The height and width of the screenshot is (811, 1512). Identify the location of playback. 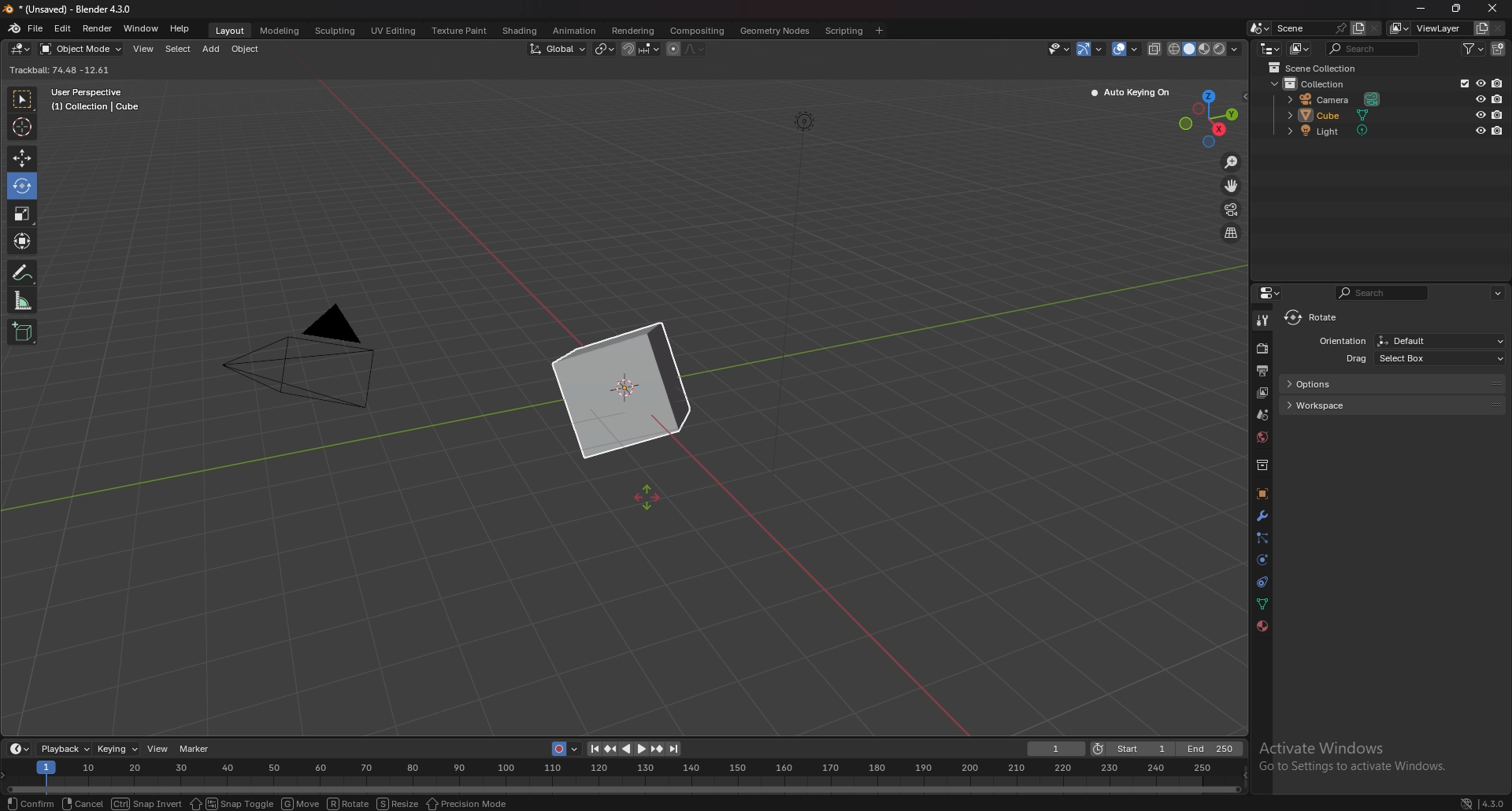
(66, 748).